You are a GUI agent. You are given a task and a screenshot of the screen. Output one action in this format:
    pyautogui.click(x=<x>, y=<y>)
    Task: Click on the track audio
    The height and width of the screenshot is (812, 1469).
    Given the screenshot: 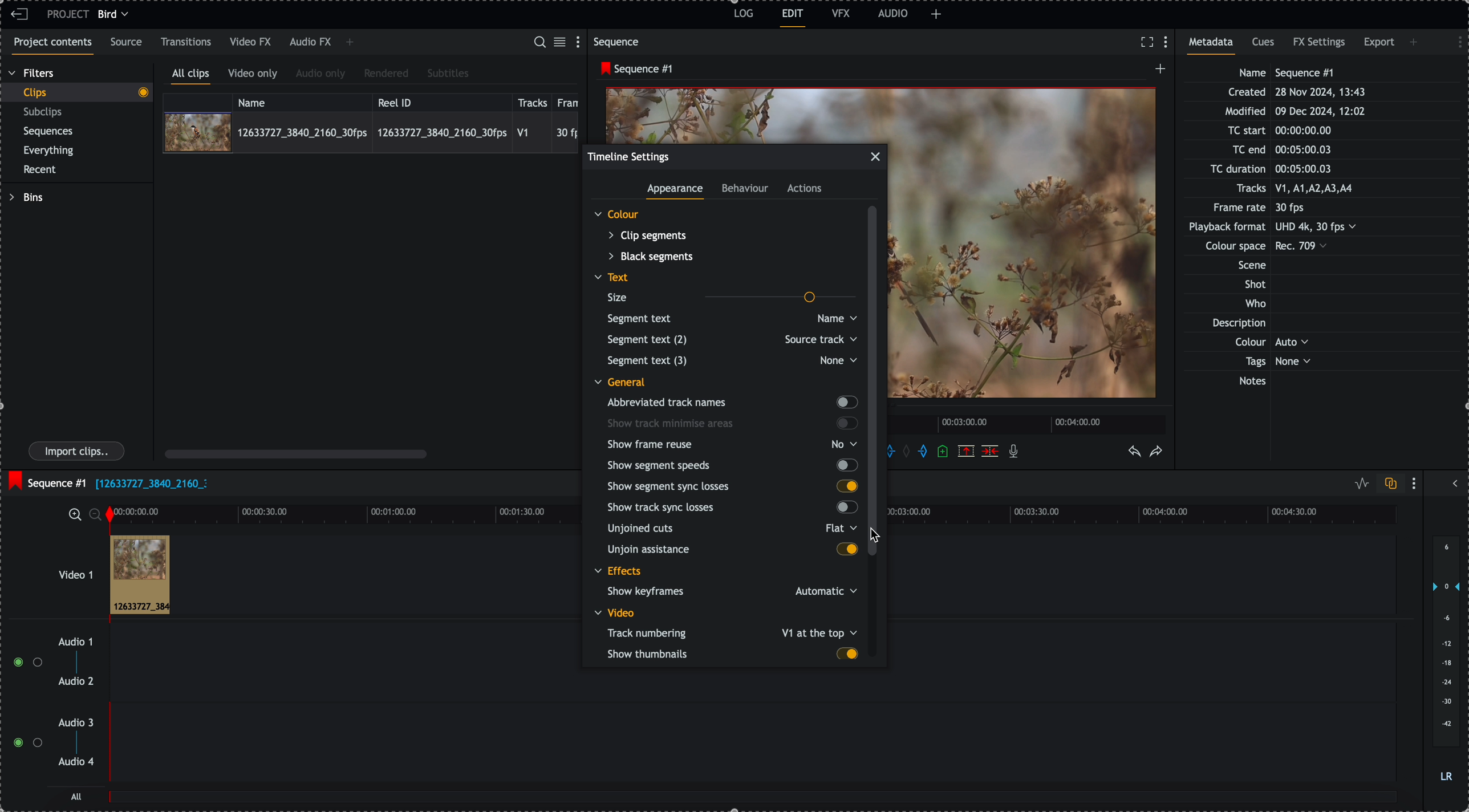 What is the action you would take?
    pyautogui.click(x=752, y=749)
    